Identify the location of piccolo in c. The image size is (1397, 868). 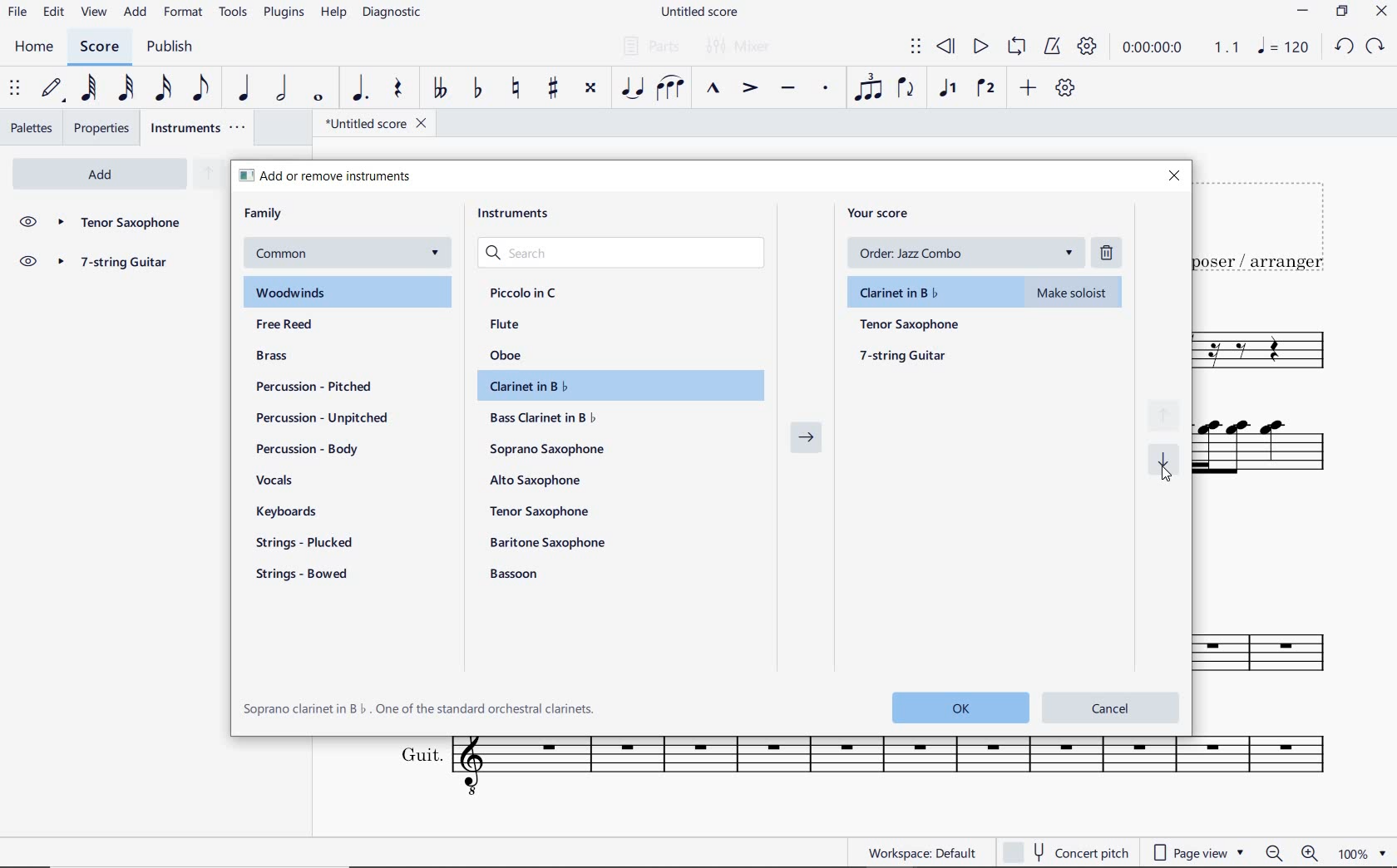
(525, 293).